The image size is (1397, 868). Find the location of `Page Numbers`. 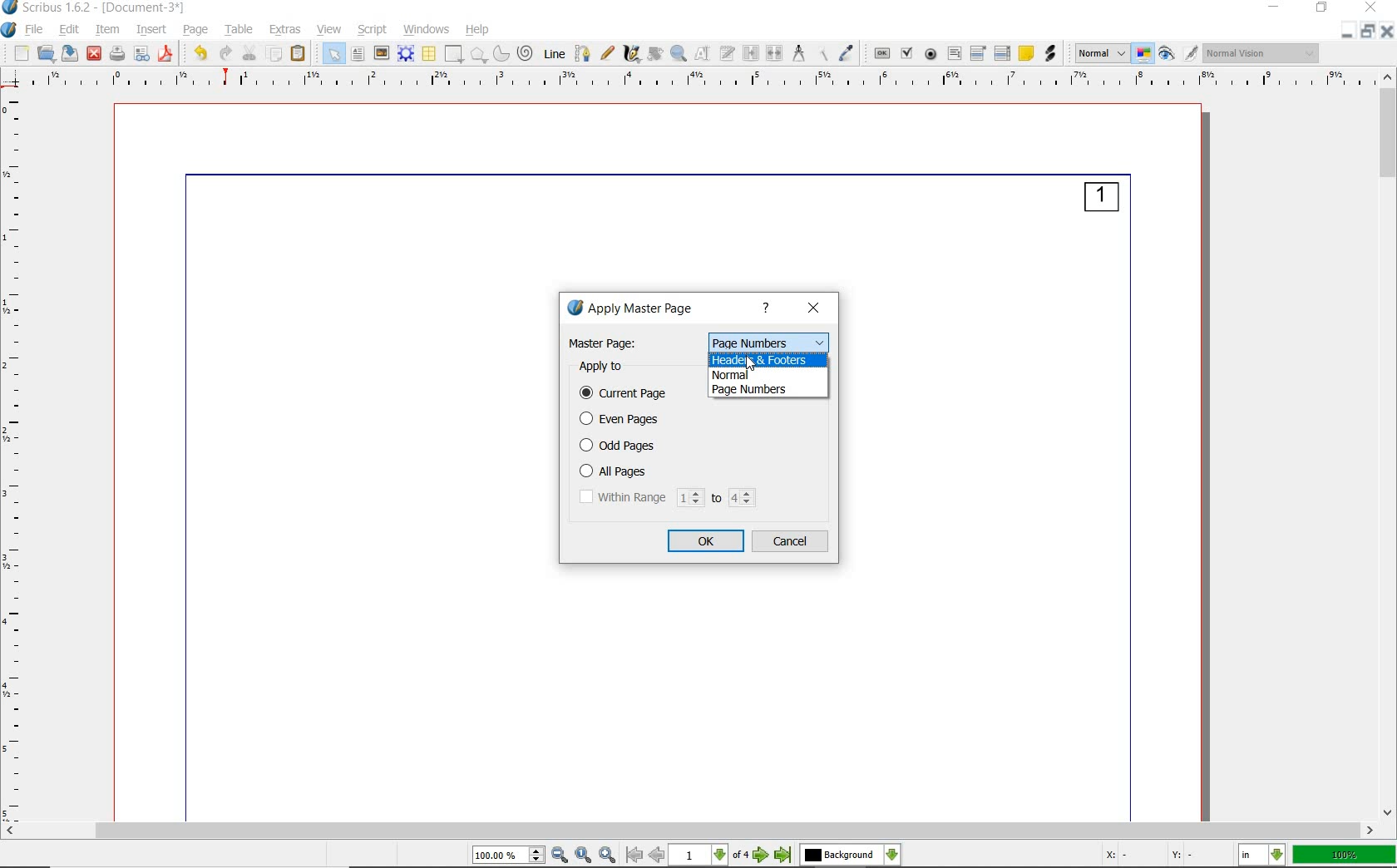

Page Numbers is located at coordinates (768, 341).